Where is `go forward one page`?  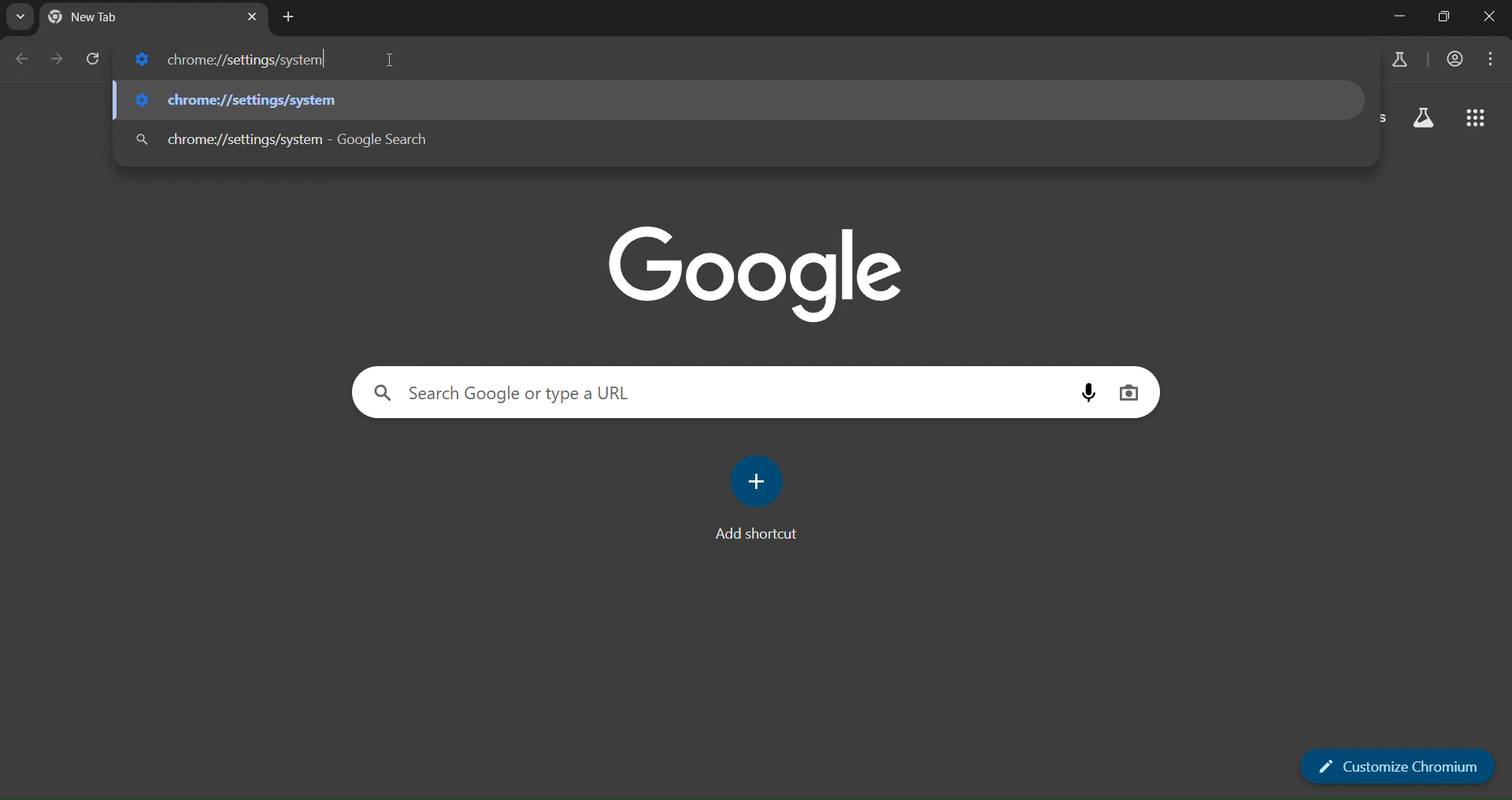 go forward one page is located at coordinates (57, 61).